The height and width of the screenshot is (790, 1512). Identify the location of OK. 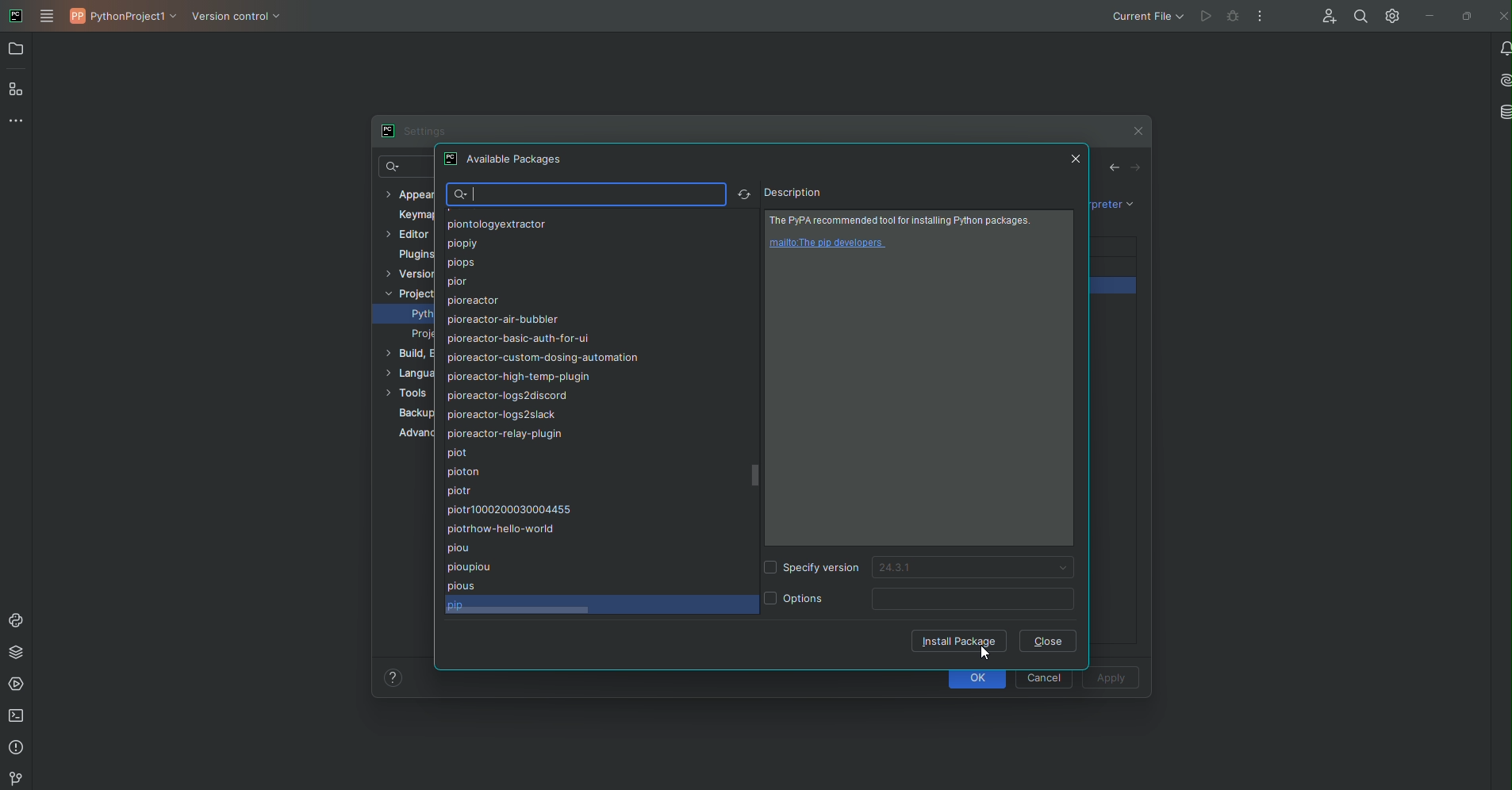
(980, 680).